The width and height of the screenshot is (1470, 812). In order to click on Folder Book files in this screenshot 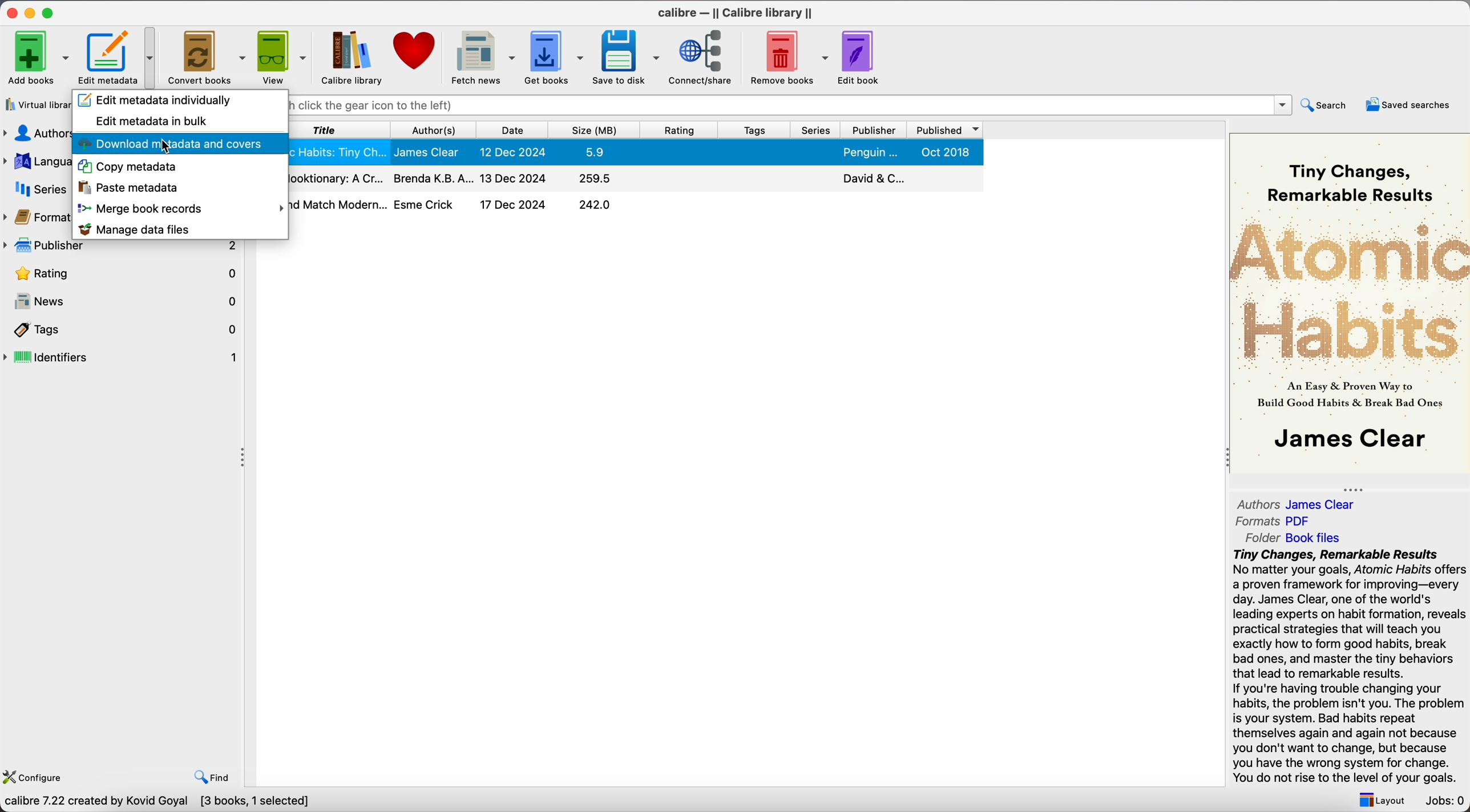, I will do `click(1297, 538)`.